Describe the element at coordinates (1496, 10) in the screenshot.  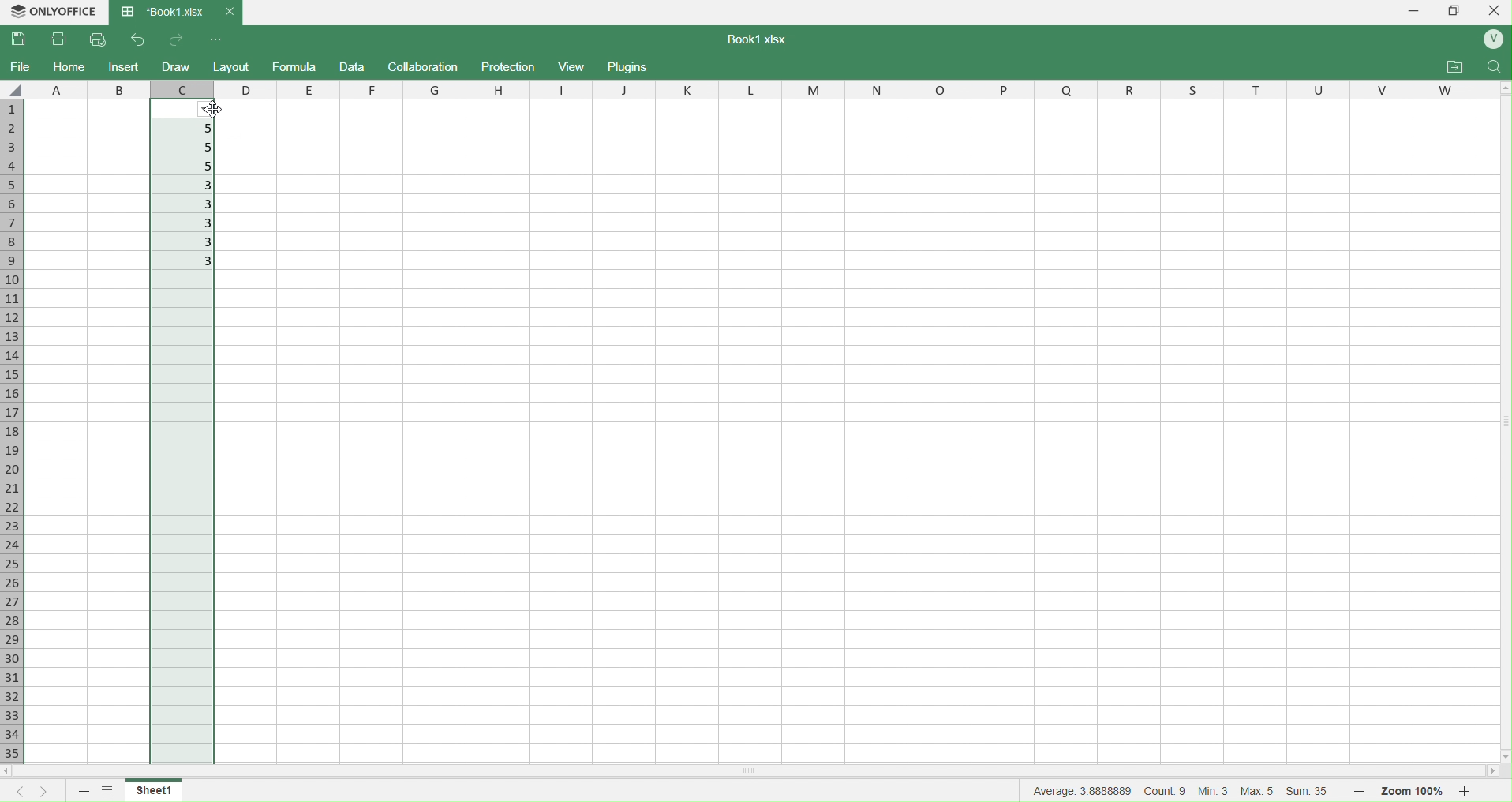
I see `Close` at that location.